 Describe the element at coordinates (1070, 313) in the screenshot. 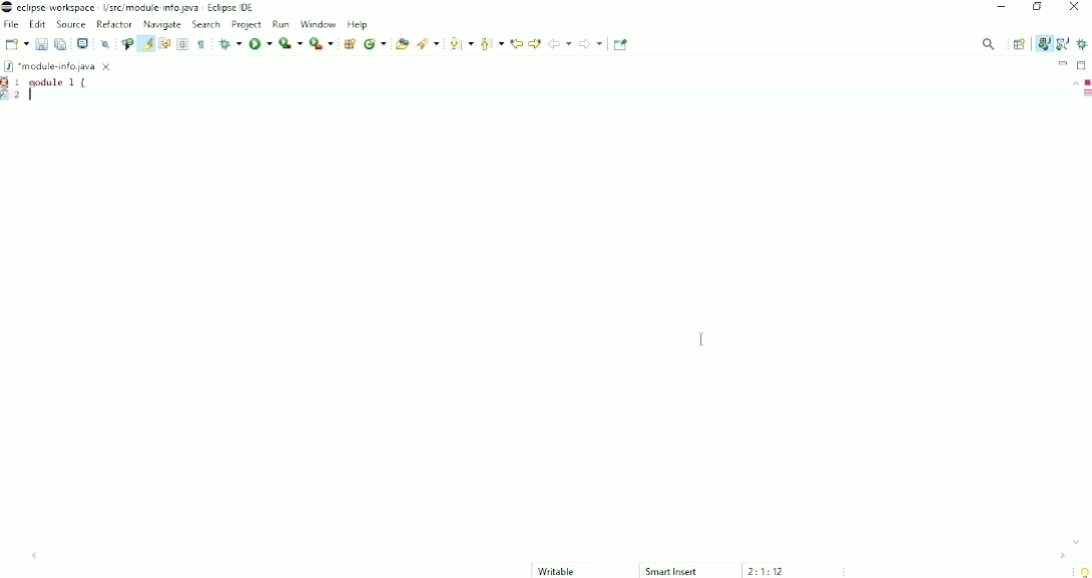

I see `Vertical scrollbar` at that location.